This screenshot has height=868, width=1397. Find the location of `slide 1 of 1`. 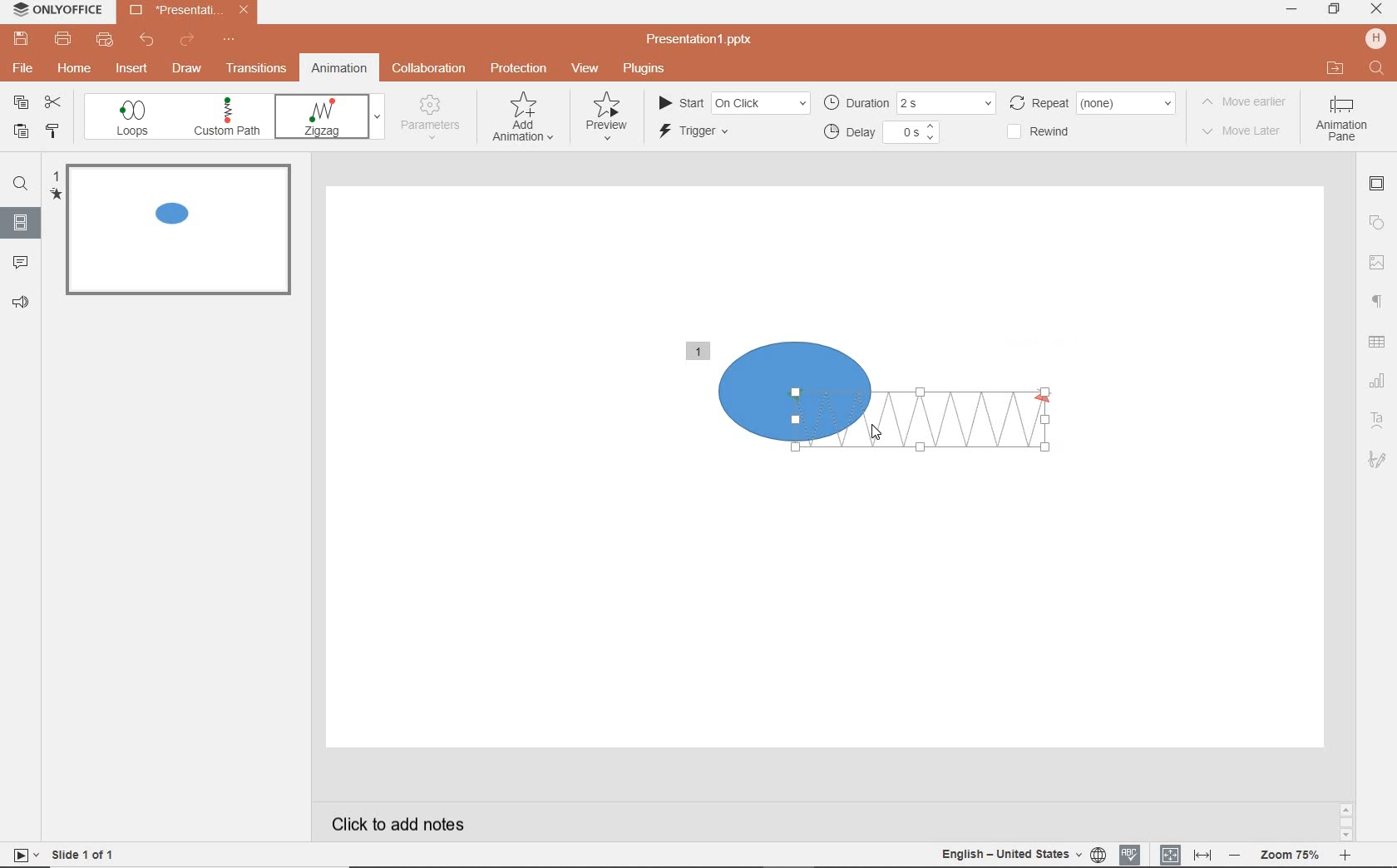

slide 1 of 1 is located at coordinates (87, 857).